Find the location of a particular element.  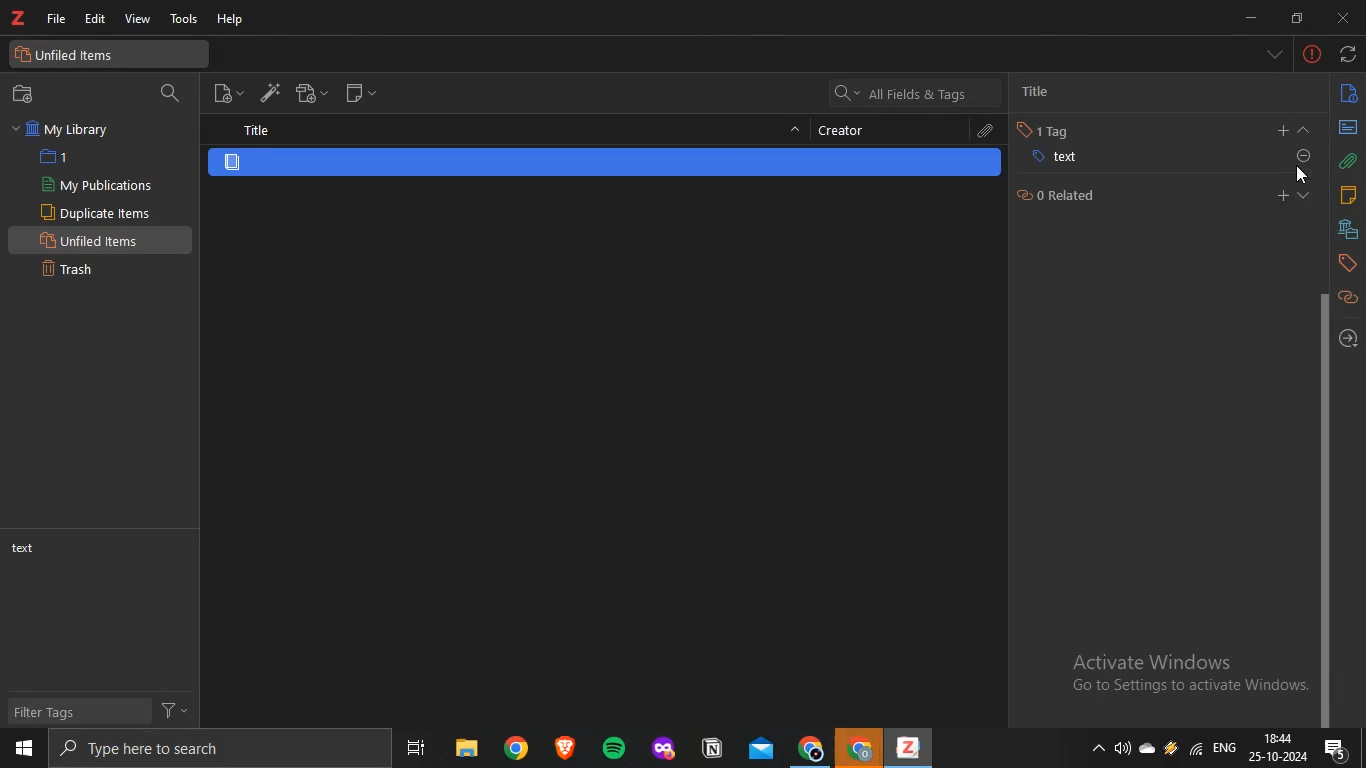

my library is located at coordinates (76, 128).